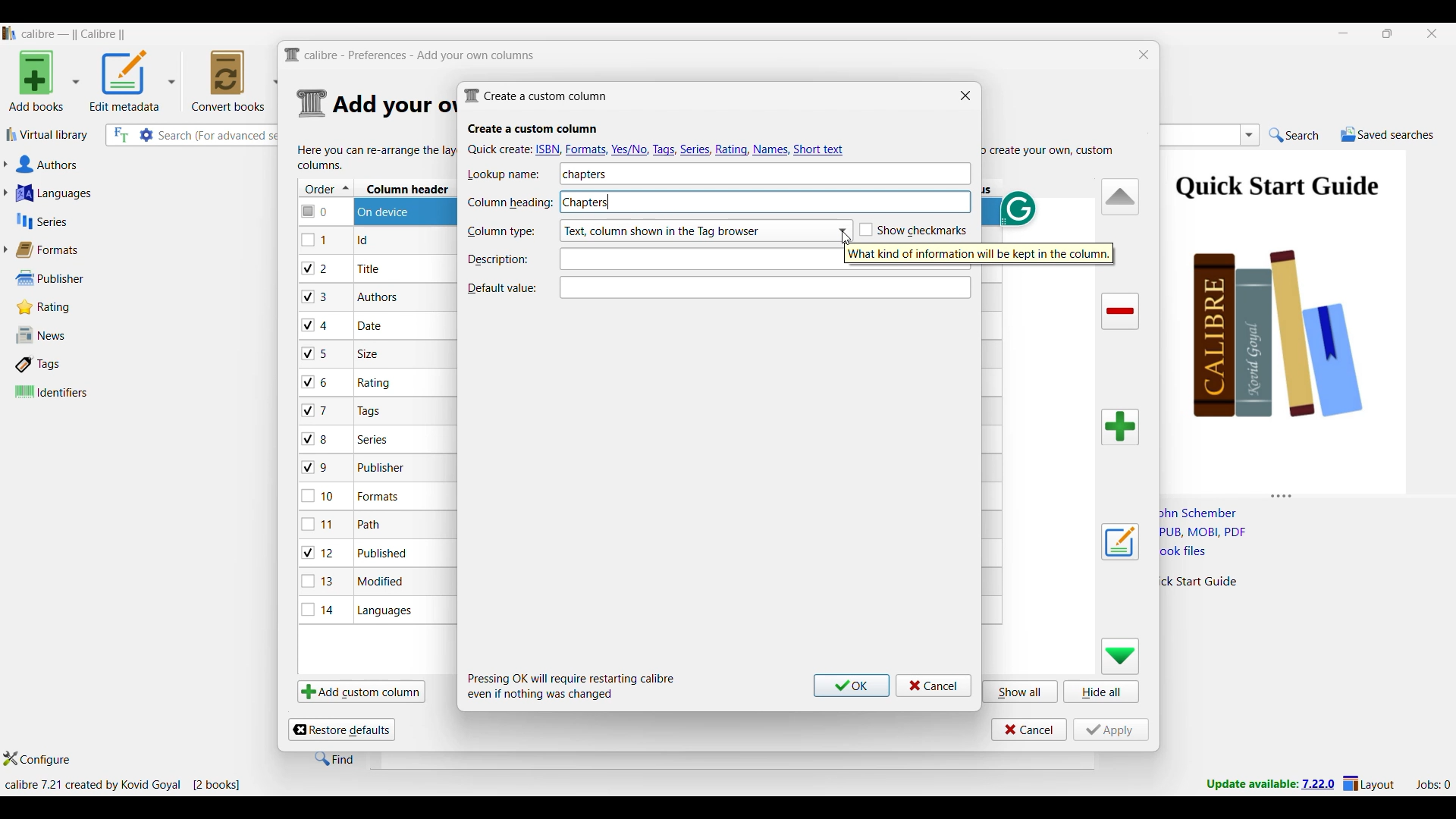 The width and height of the screenshot is (1456, 819). Describe the element at coordinates (312, 104) in the screenshot. I see `Logo of current settings` at that location.